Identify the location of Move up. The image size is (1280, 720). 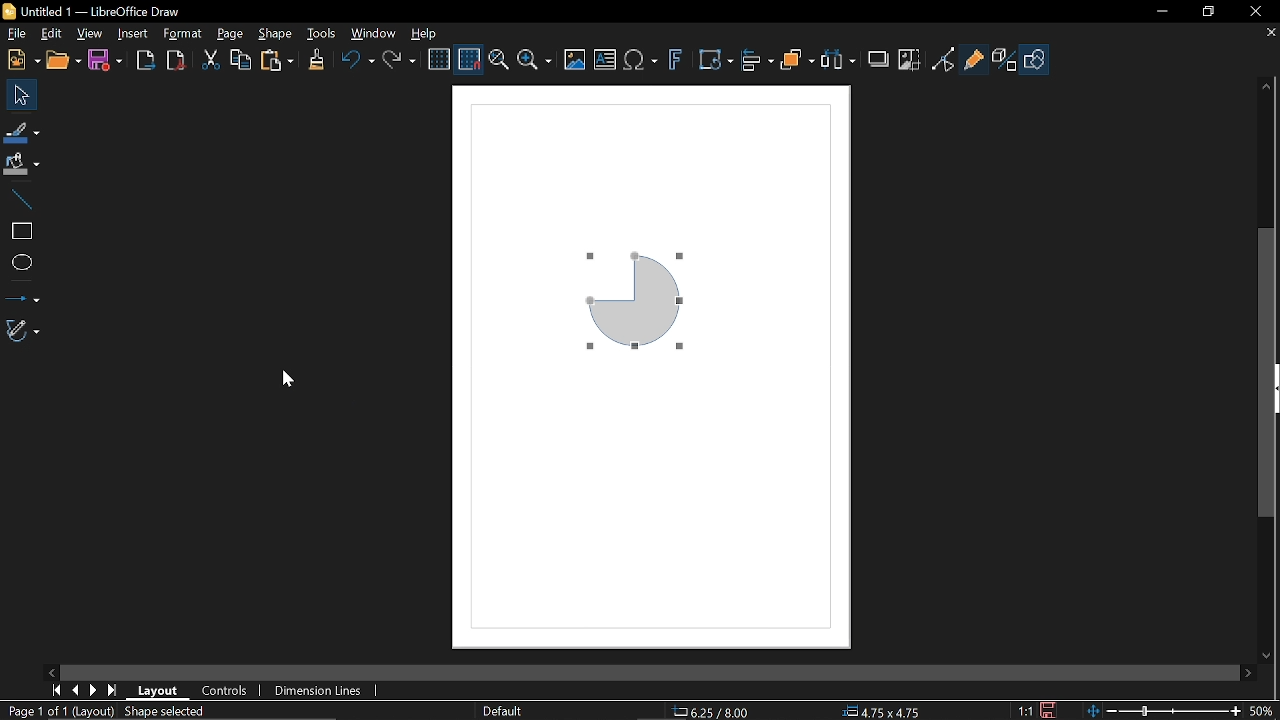
(1271, 86).